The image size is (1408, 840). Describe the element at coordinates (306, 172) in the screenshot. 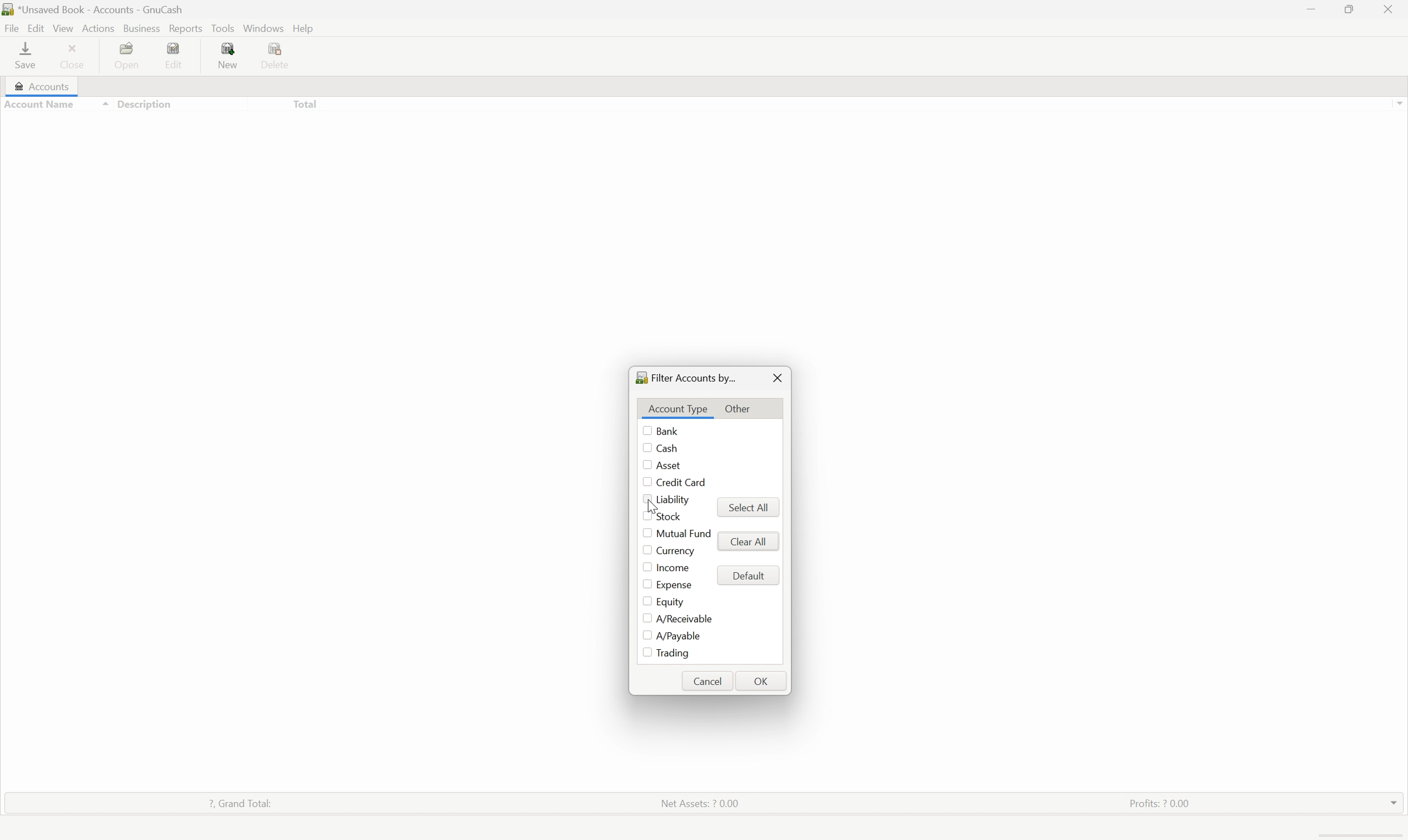

I see `? 0.00` at that location.